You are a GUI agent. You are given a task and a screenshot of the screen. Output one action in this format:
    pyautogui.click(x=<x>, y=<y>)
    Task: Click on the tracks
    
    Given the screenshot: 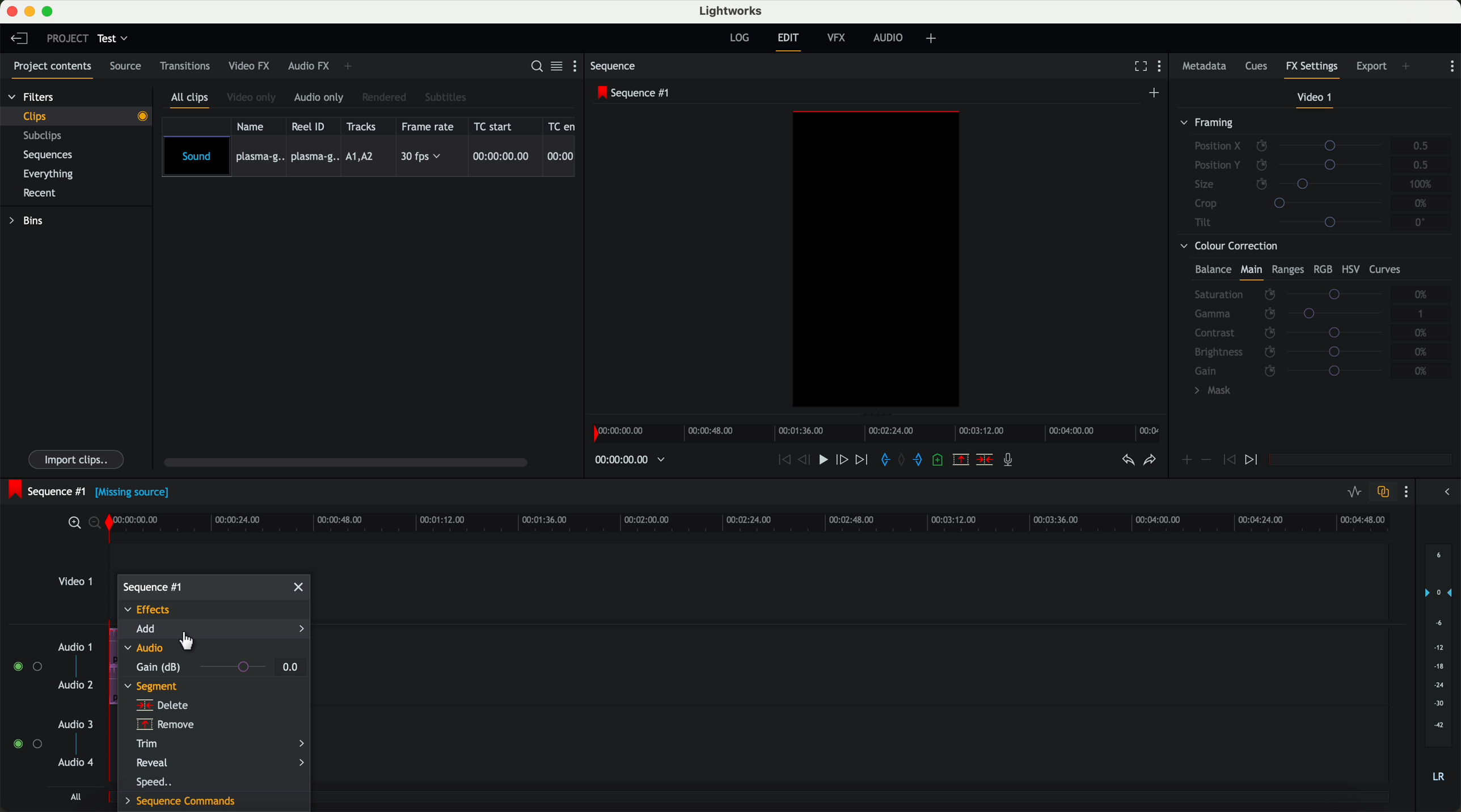 What is the action you would take?
    pyautogui.click(x=364, y=126)
    